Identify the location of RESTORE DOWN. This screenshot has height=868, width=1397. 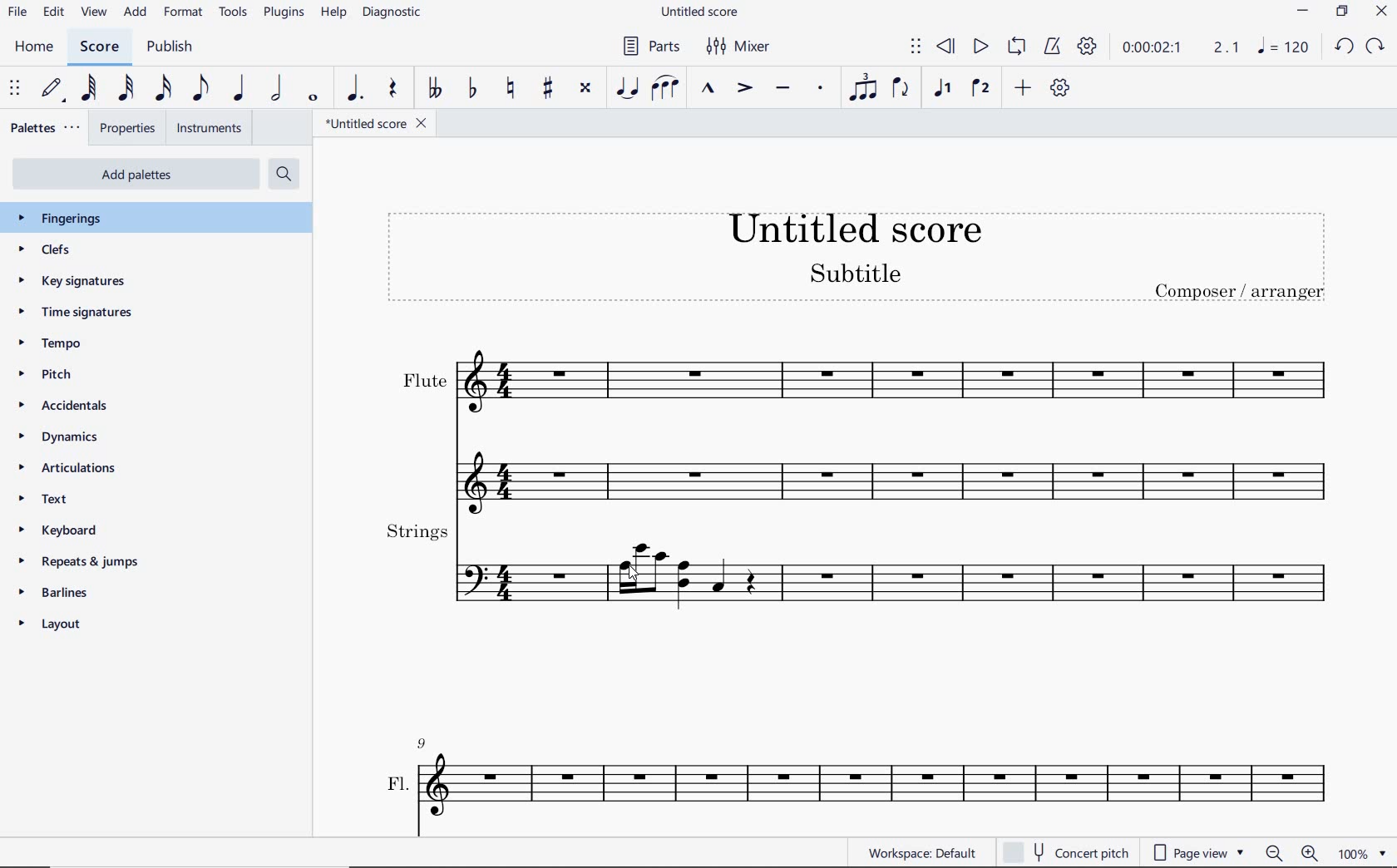
(1341, 12).